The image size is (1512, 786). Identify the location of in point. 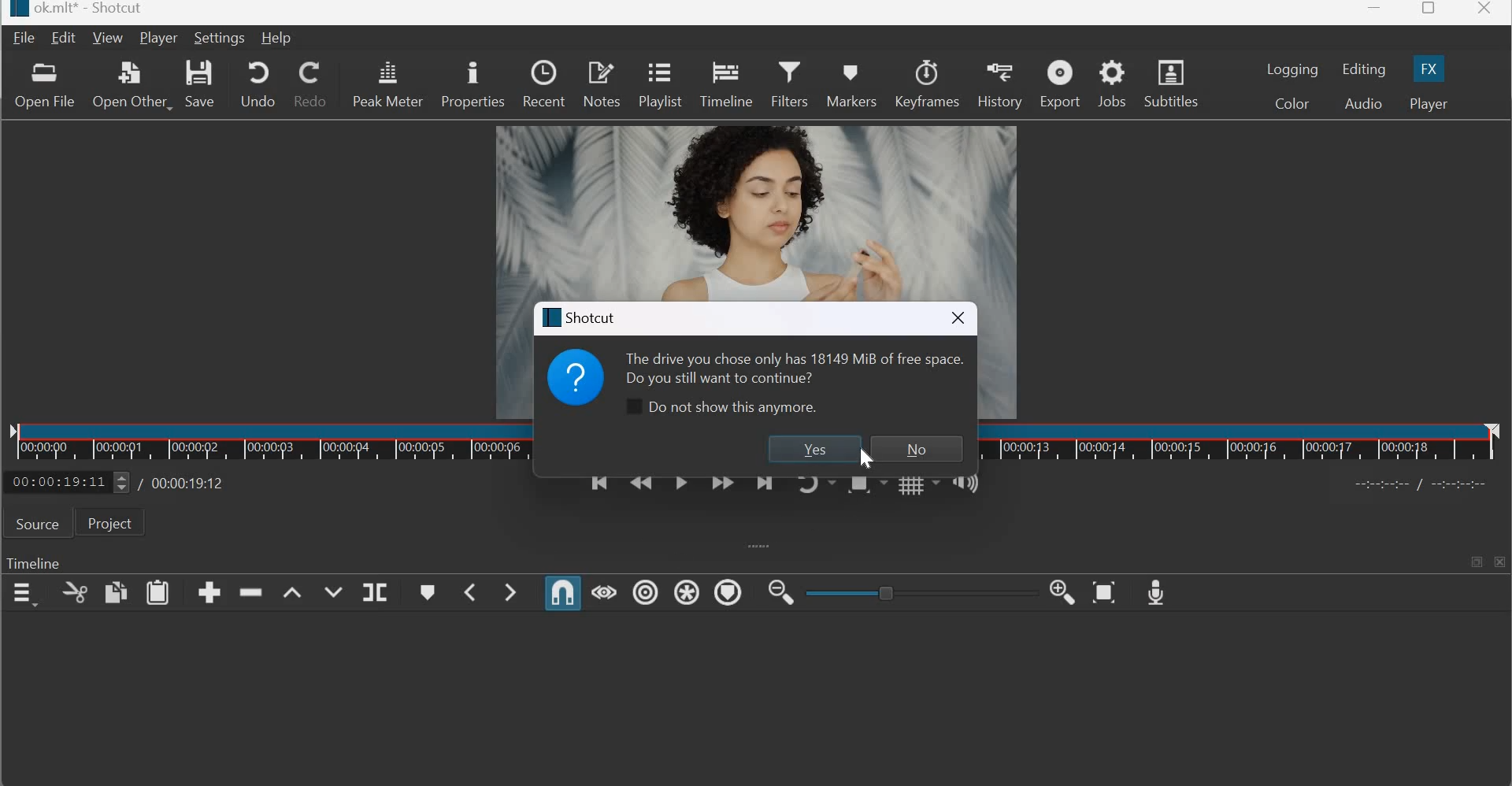
(1425, 486).